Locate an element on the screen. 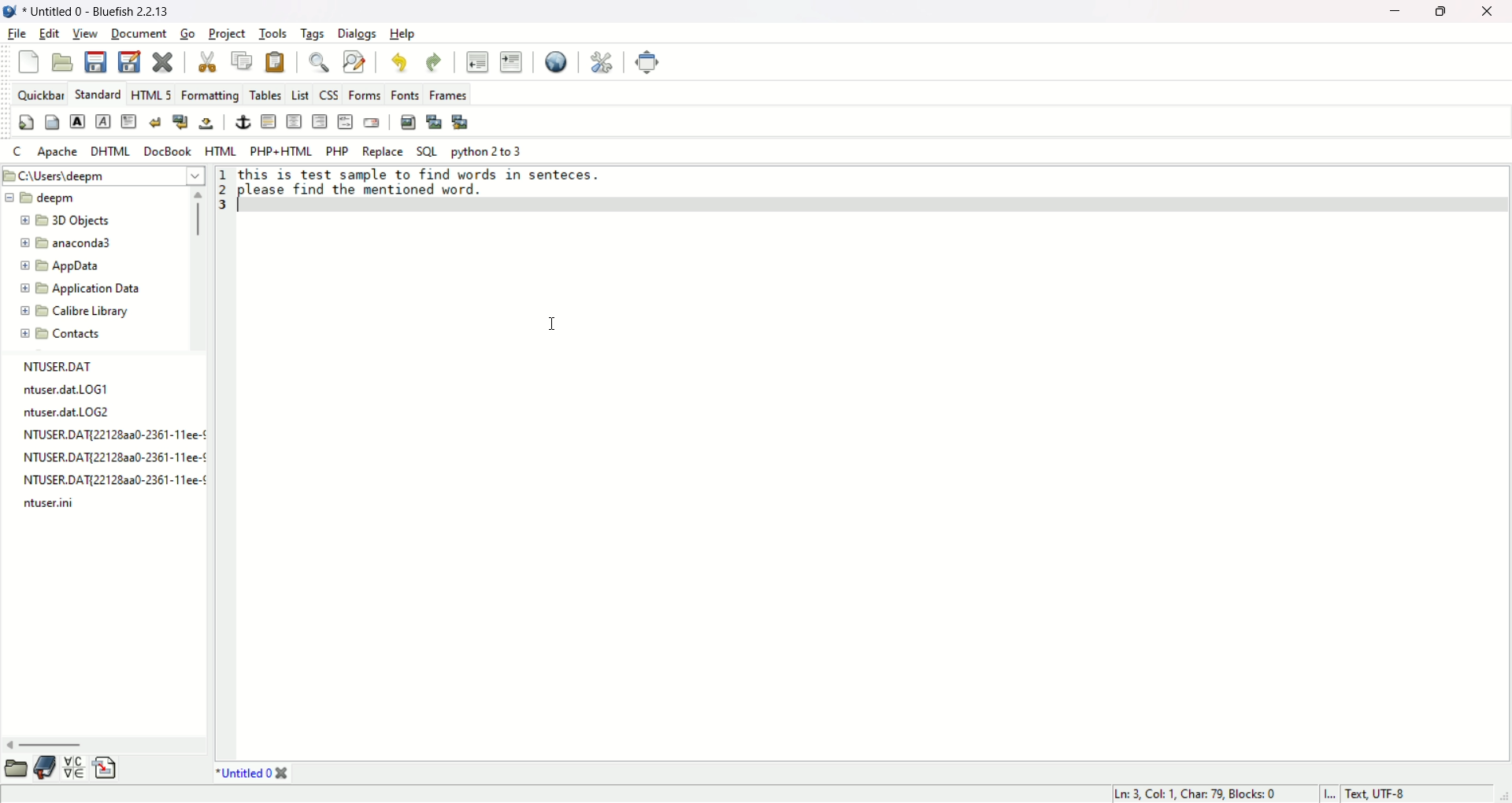 The height and width of the screenshot is (803, 1512). break is located at coordinates (154, 121).